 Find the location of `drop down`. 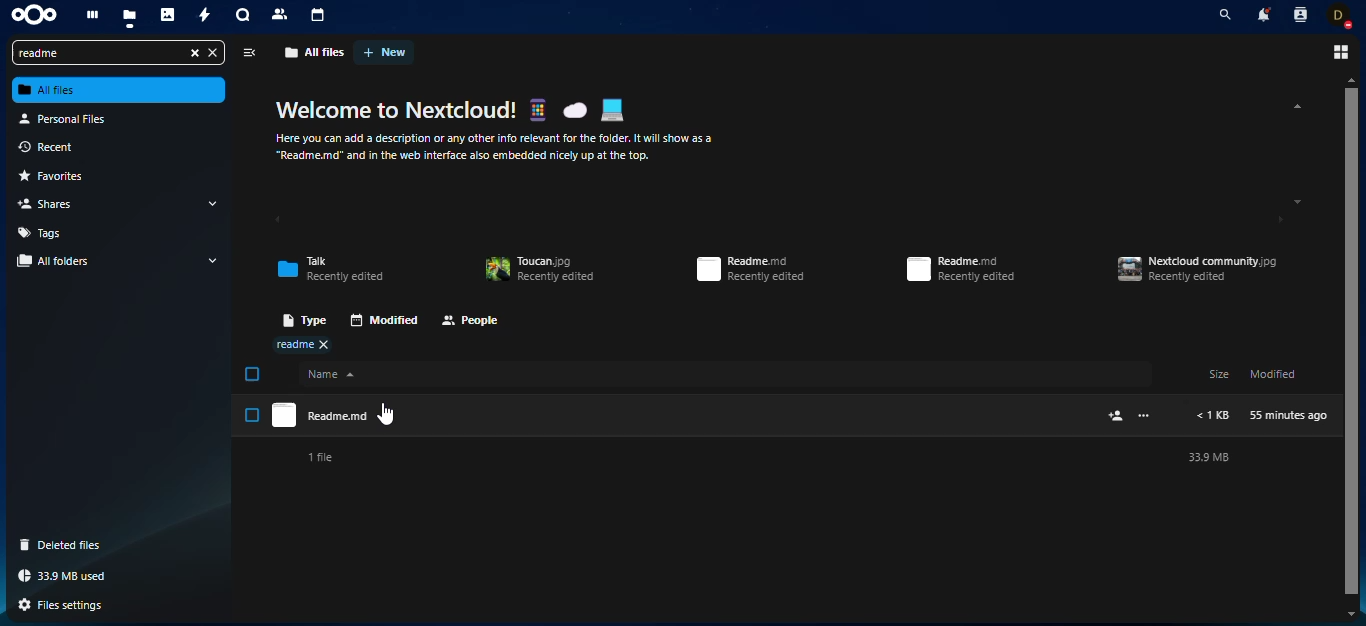

drop down is located at coordinates (212, 203).